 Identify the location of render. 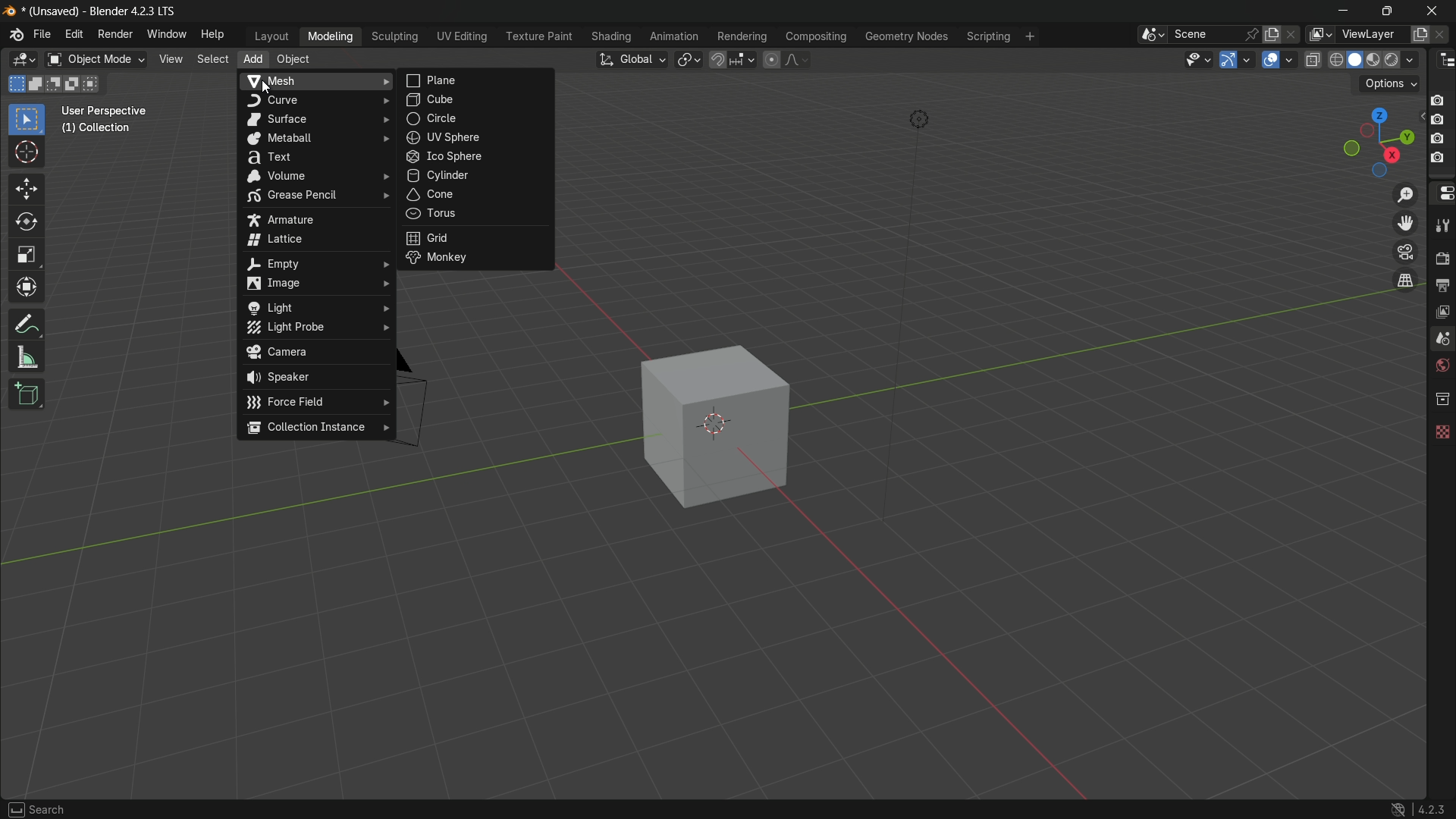
(1441, 256).